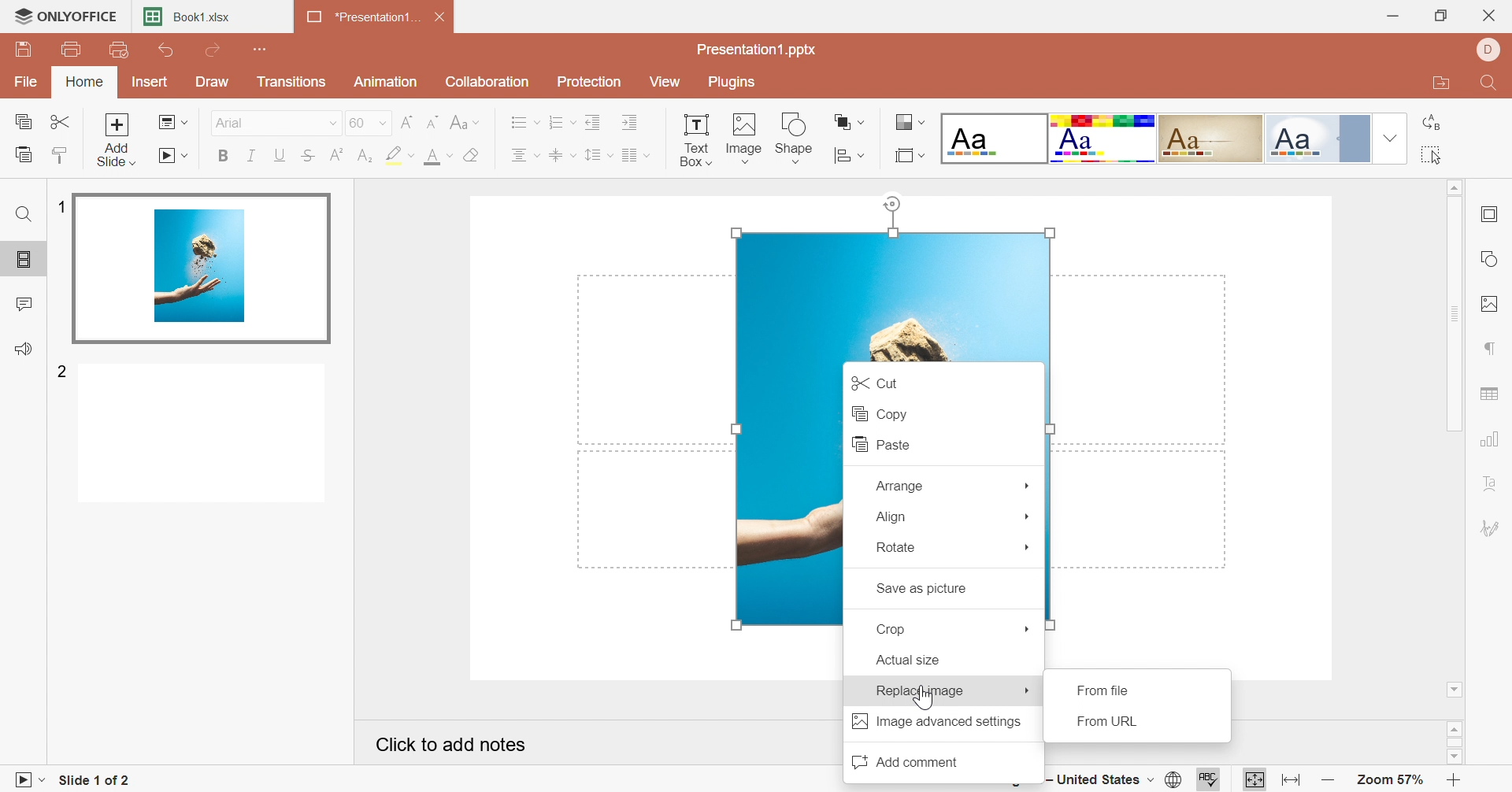  What do you see at coordinates (1443, 15) in the screenshot?
I see `Restore Down` at bounding box center [1443, 15].